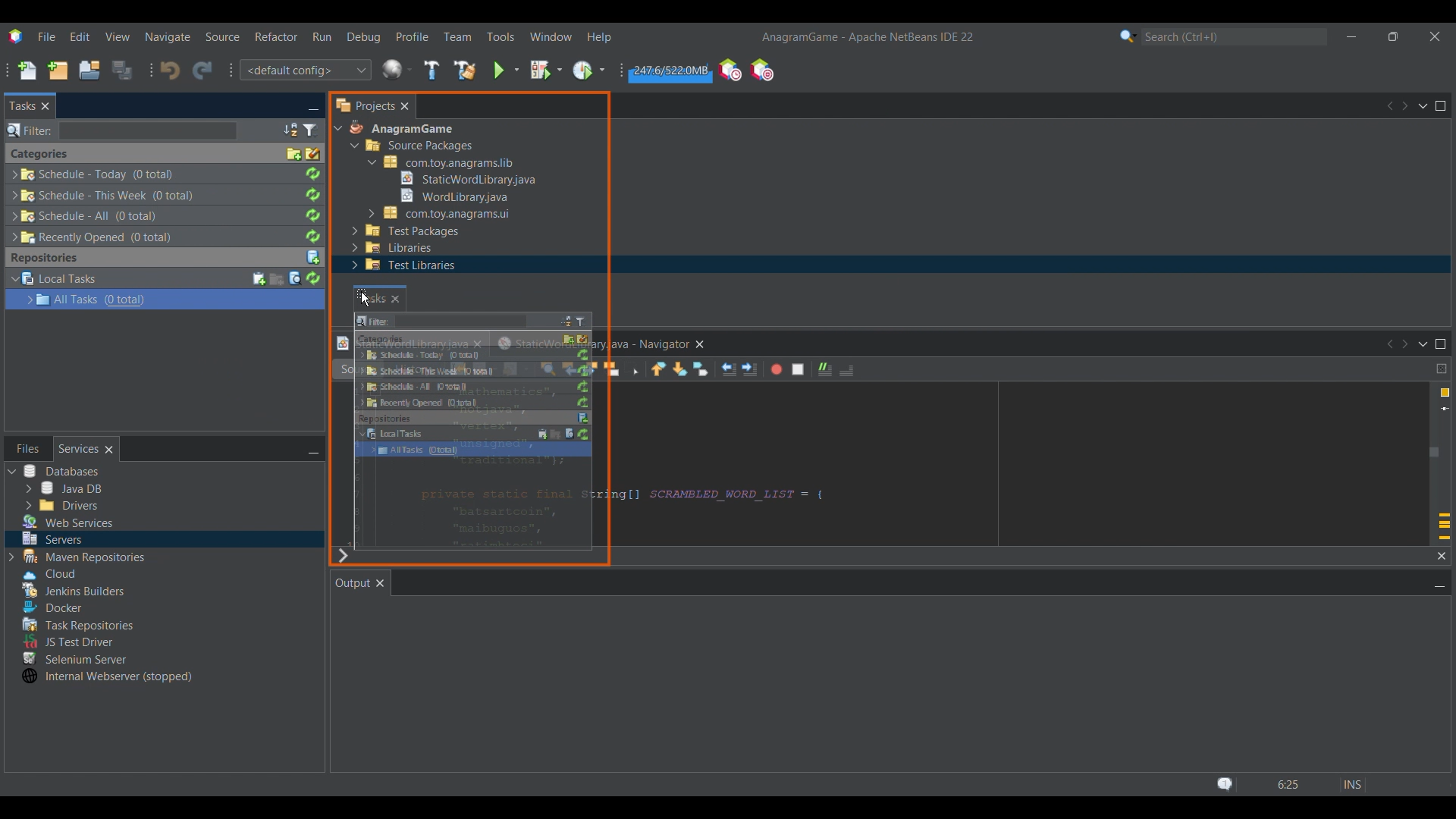 Image resolution: width=1456 pixels, height=819 pixels. I want to click on , so click(469, 179).